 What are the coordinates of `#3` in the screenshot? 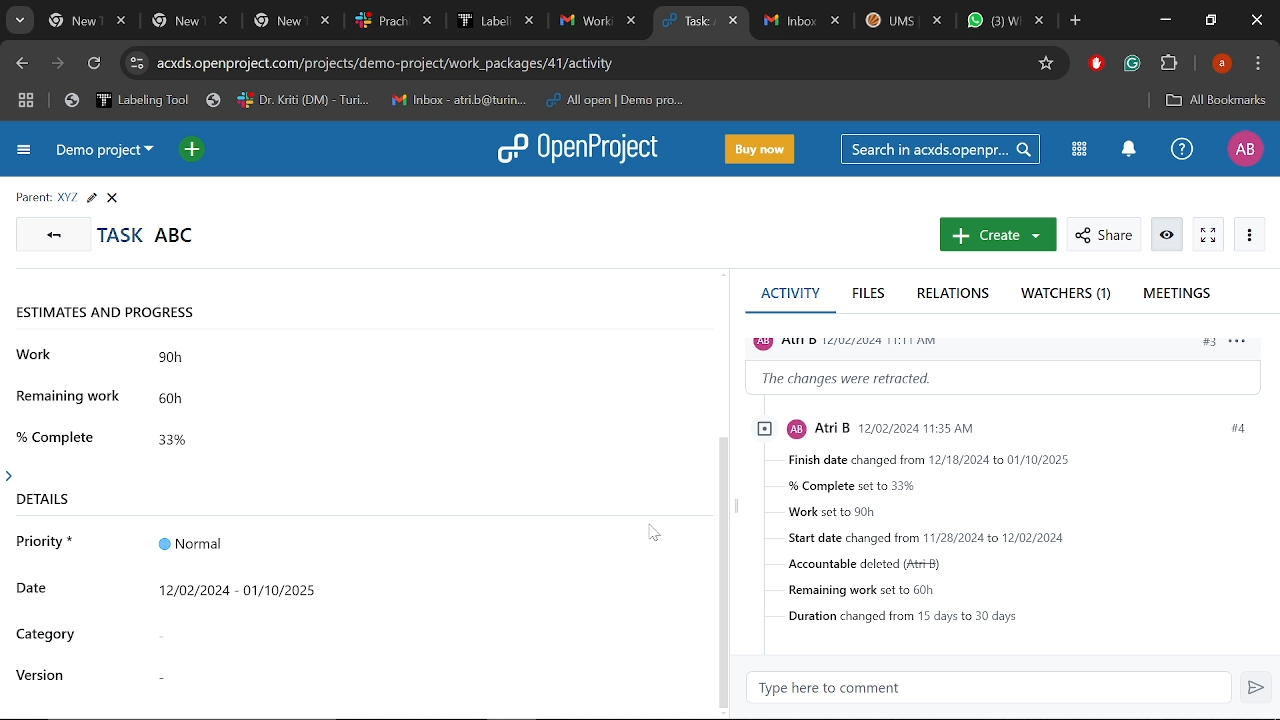 It's located at (1208, 344).